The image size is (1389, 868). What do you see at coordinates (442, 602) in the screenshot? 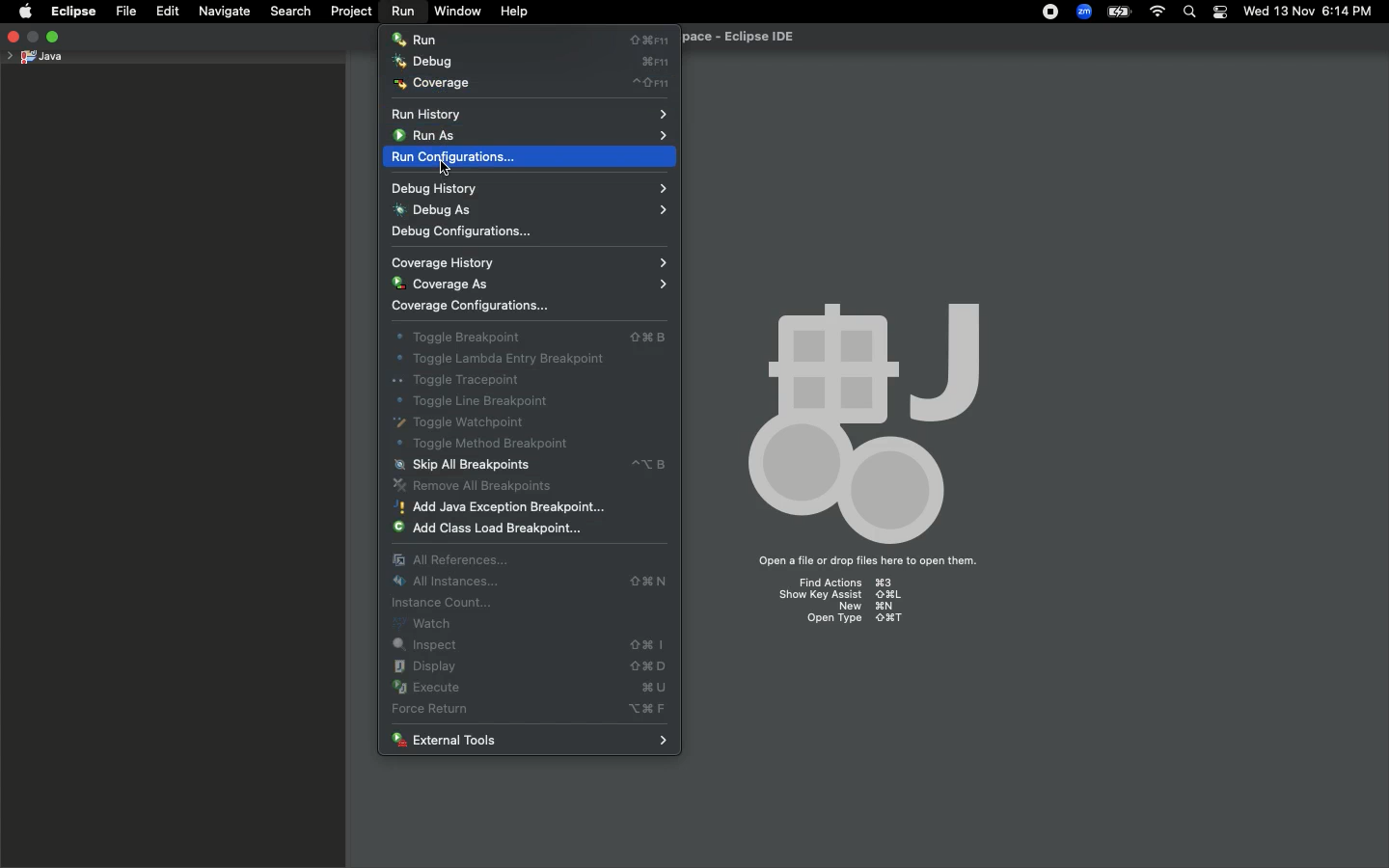
I see `Instance count` at bounding box center [442, 602].